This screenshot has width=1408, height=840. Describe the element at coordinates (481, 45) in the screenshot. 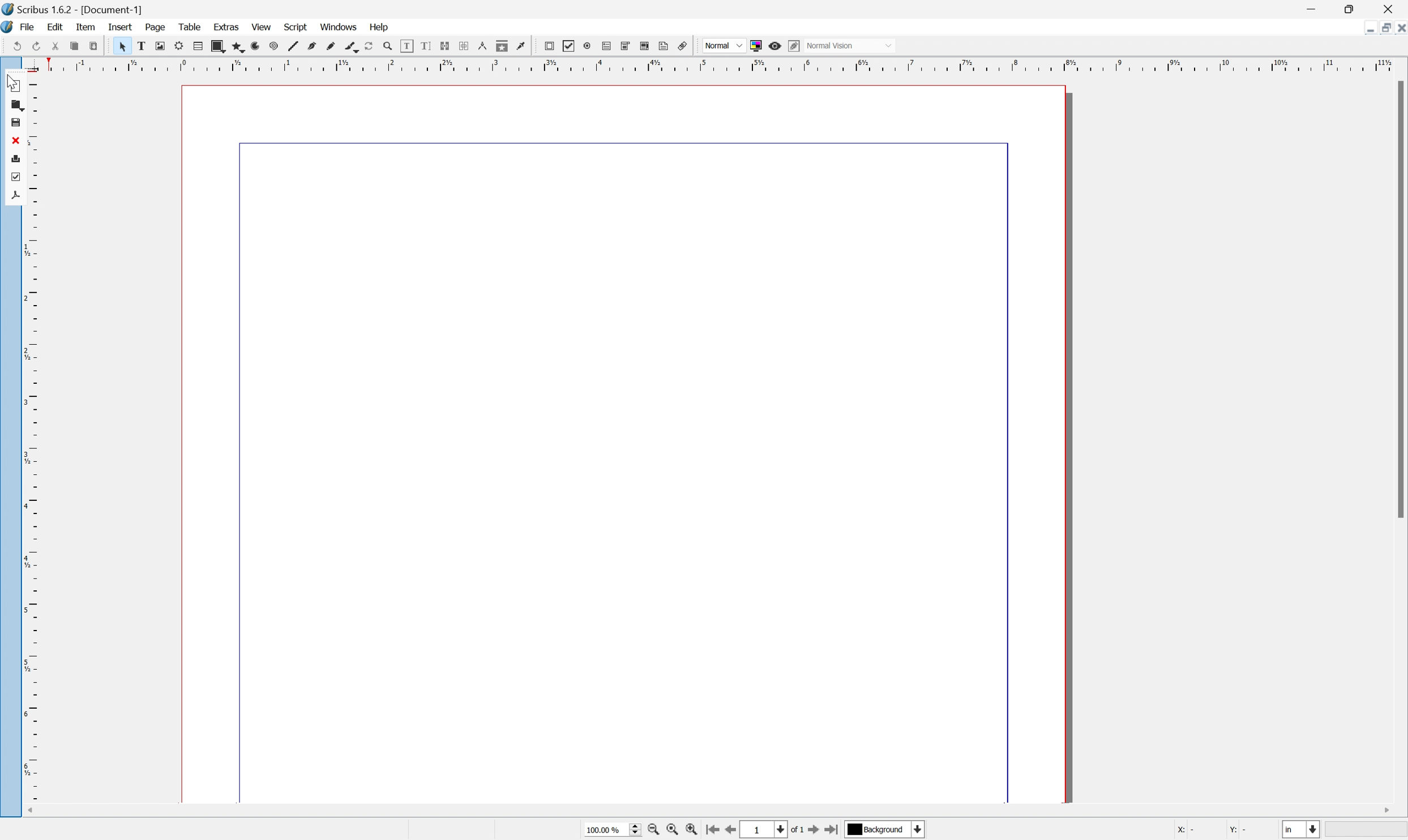

I see `calligraphy line` at that location.